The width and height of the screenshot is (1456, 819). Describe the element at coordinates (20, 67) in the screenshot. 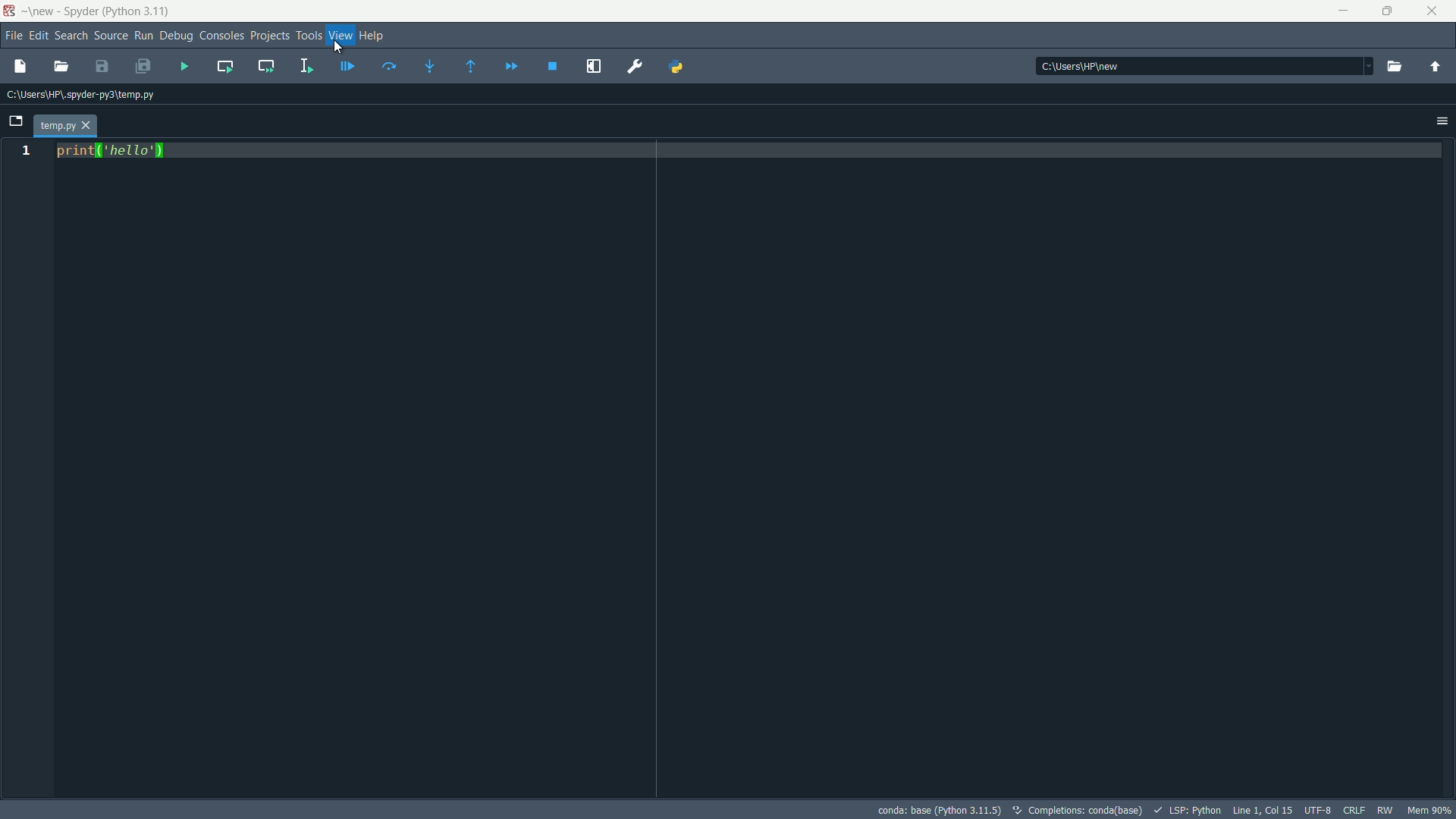

I see `new file` at that location.